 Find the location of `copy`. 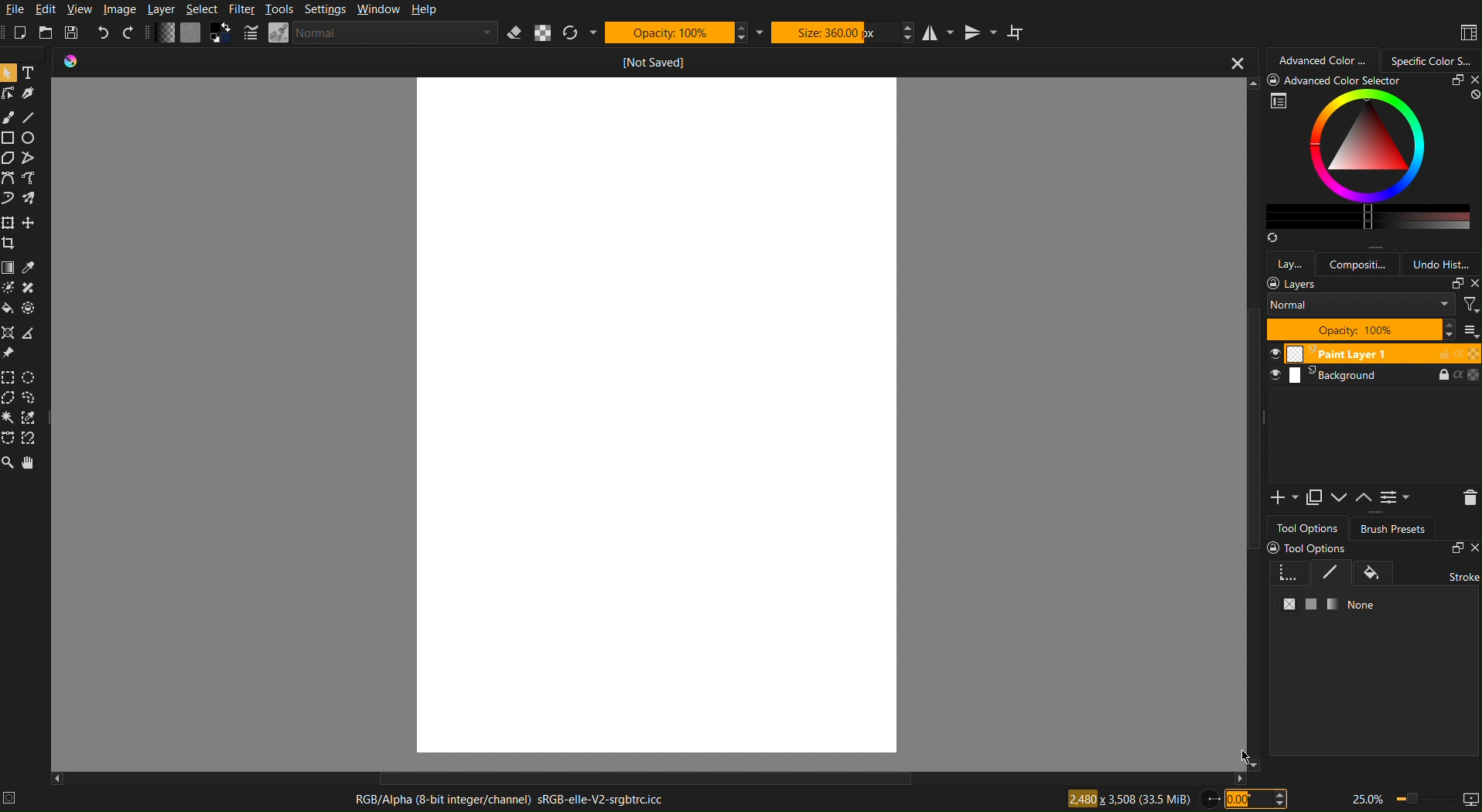

copy is located at coordinates (1455, 285).